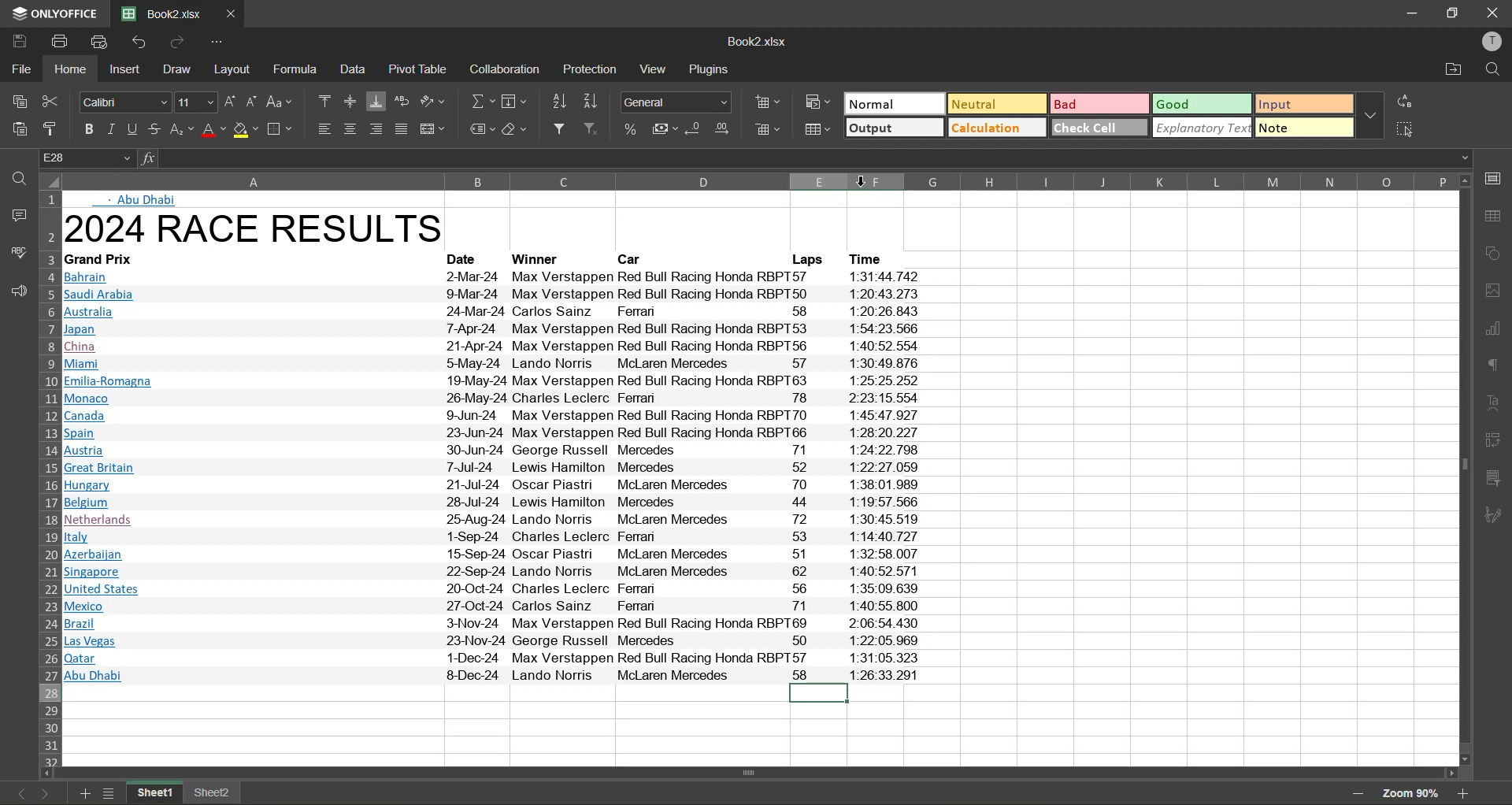  What do you see at coordinates (495, 451) in the screenshot?
I see `B Austria 30-Jun-24 George Russell Mercedes 71 1:24:22 798` at bounding box center [495, 451].